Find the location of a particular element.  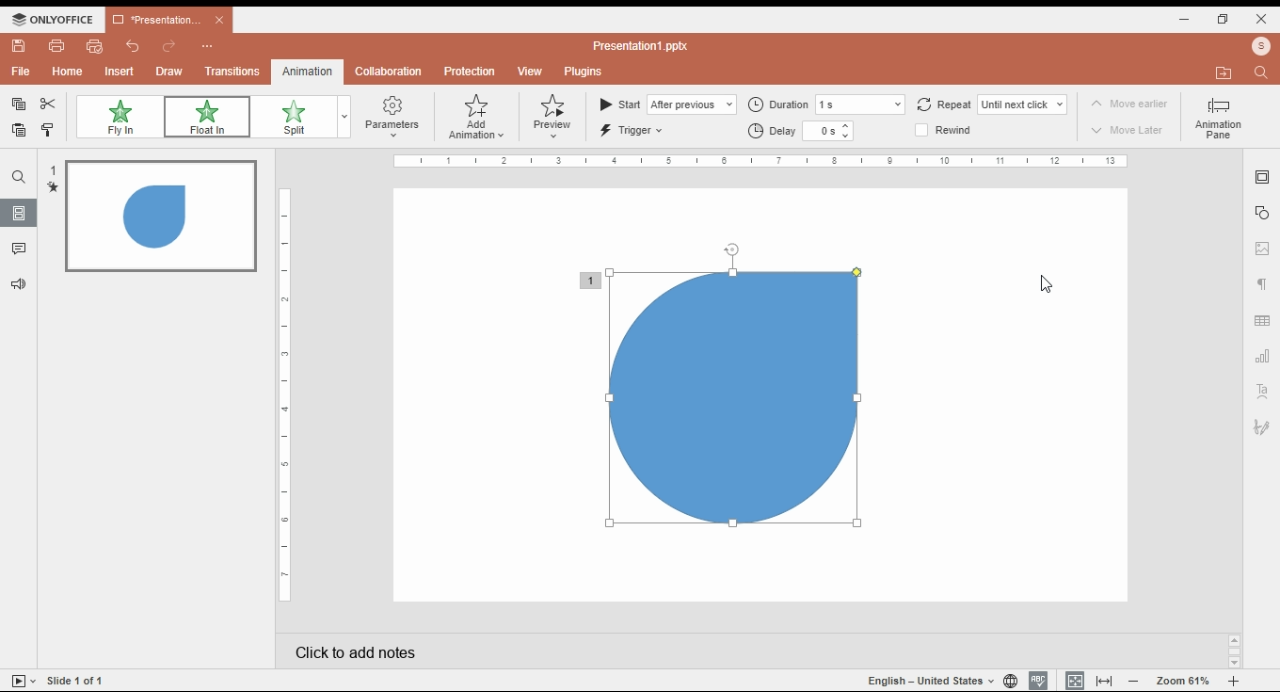

find is located at coordinates (1263, 73).